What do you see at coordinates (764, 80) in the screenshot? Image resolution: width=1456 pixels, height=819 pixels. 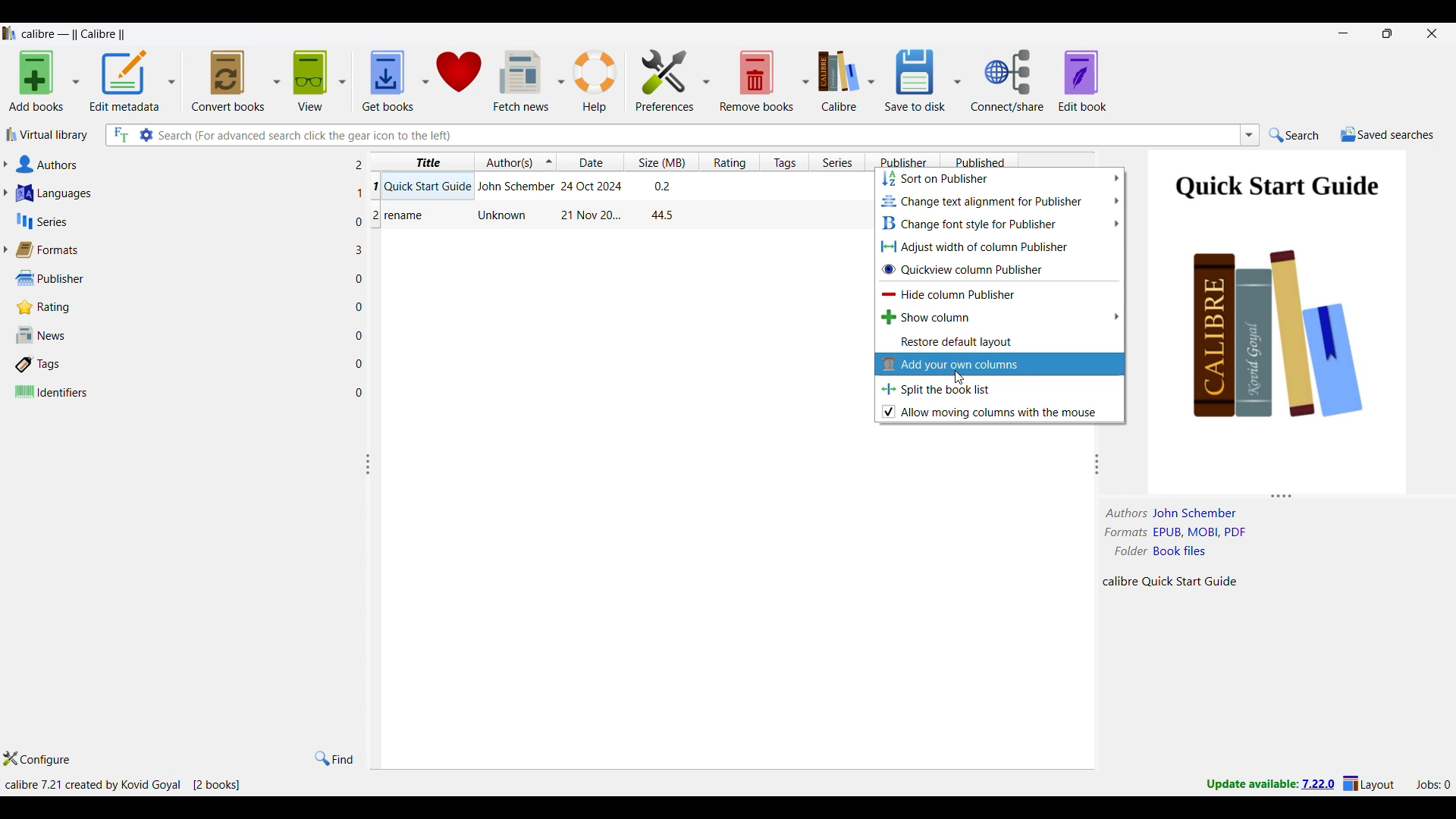 I see `Remove options` at bounding box center [764, 80].